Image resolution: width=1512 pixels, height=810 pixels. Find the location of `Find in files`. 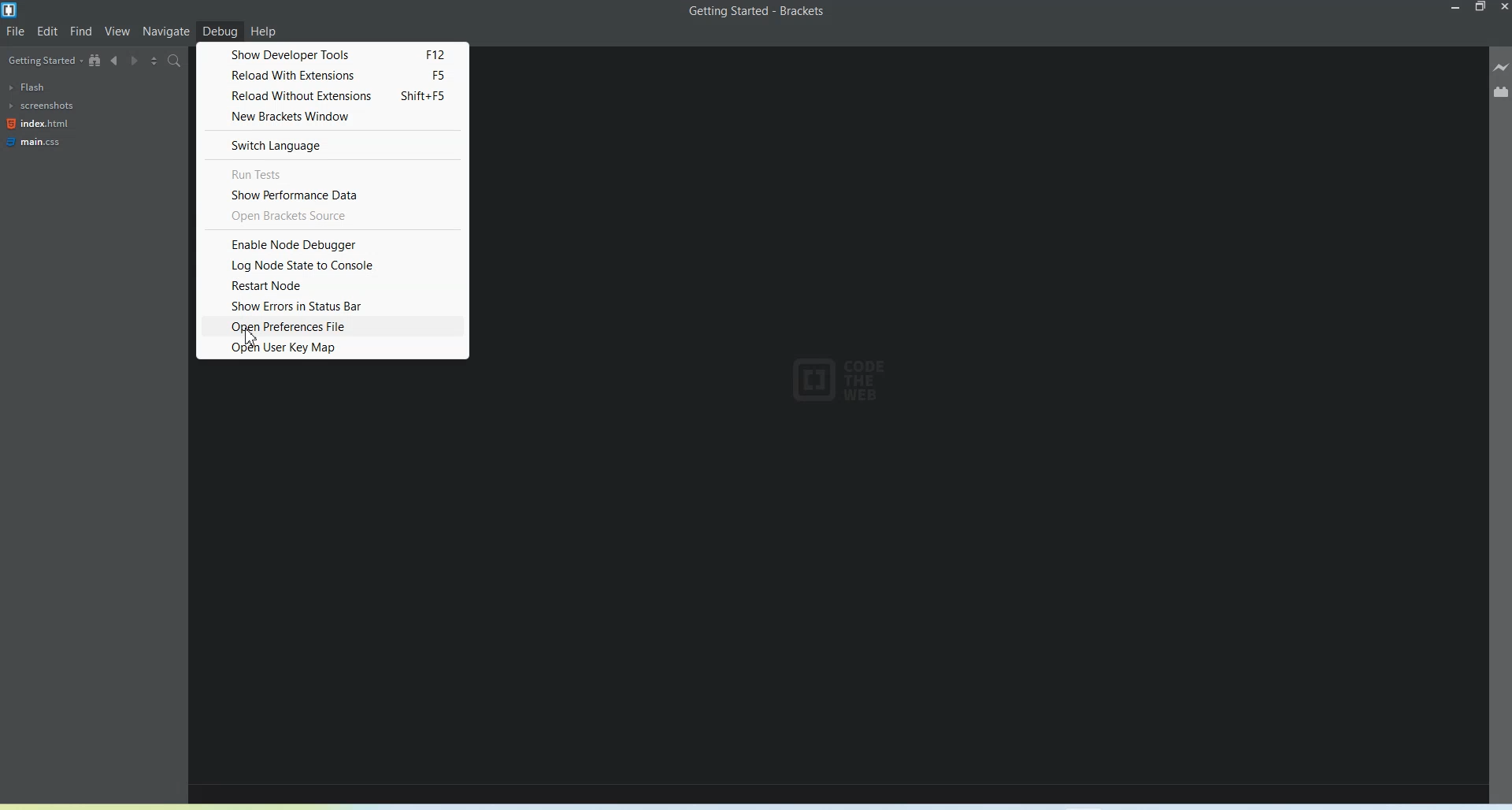

Find in files is located at coordinates (174, 61).